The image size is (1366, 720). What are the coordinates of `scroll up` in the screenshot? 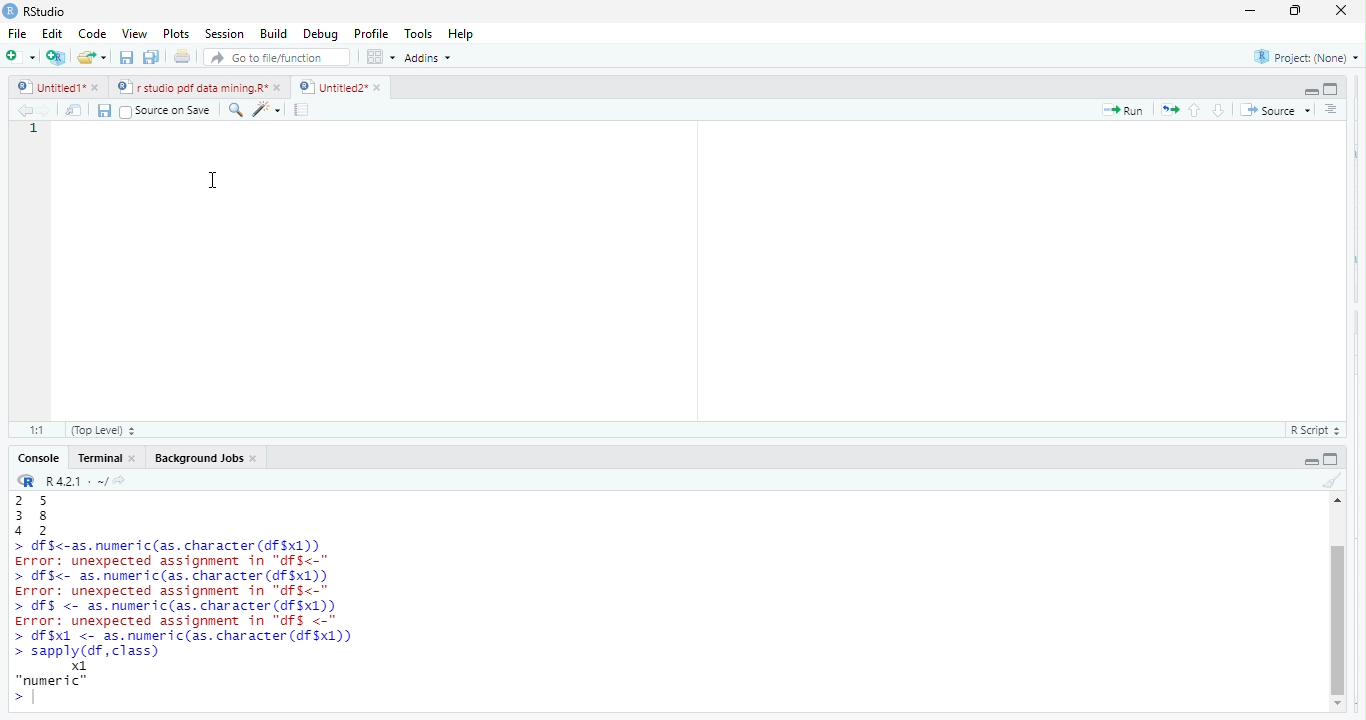 It's located at (1339, 500).